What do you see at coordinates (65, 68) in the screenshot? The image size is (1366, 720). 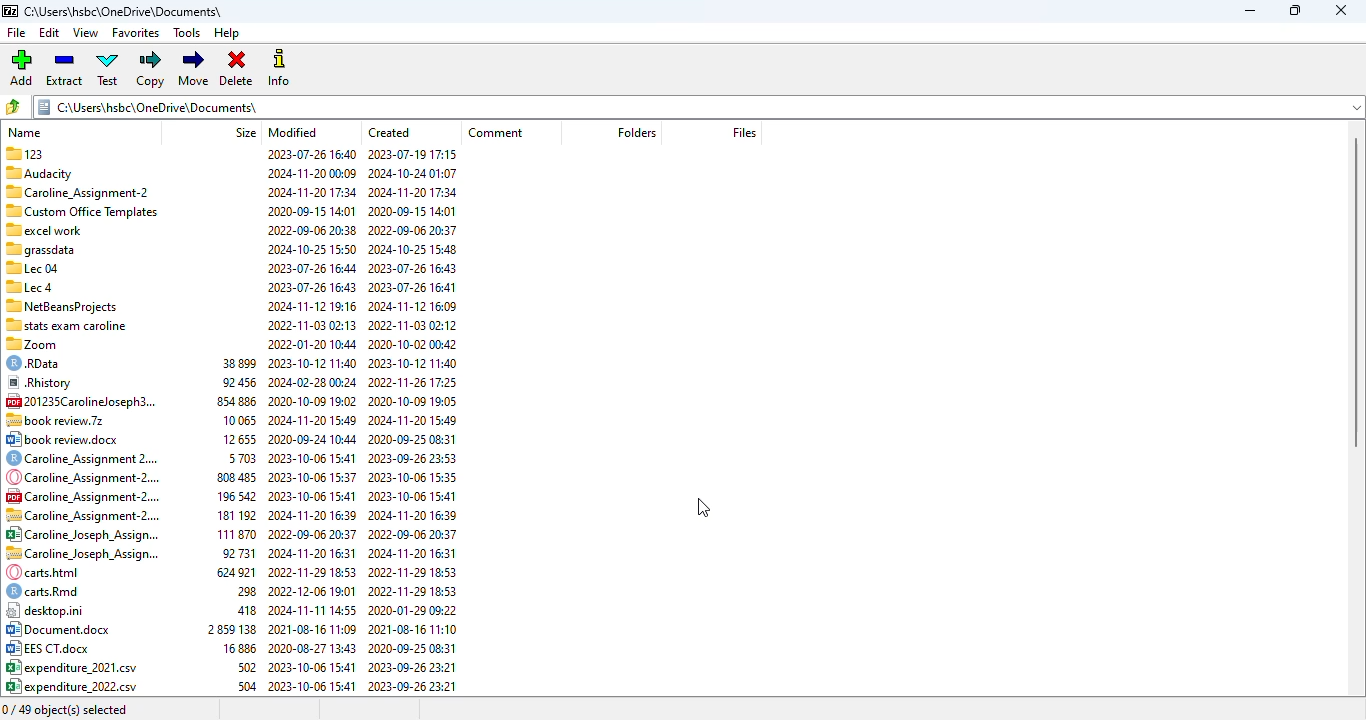 I see `extract` at bounding box center [65, 68].